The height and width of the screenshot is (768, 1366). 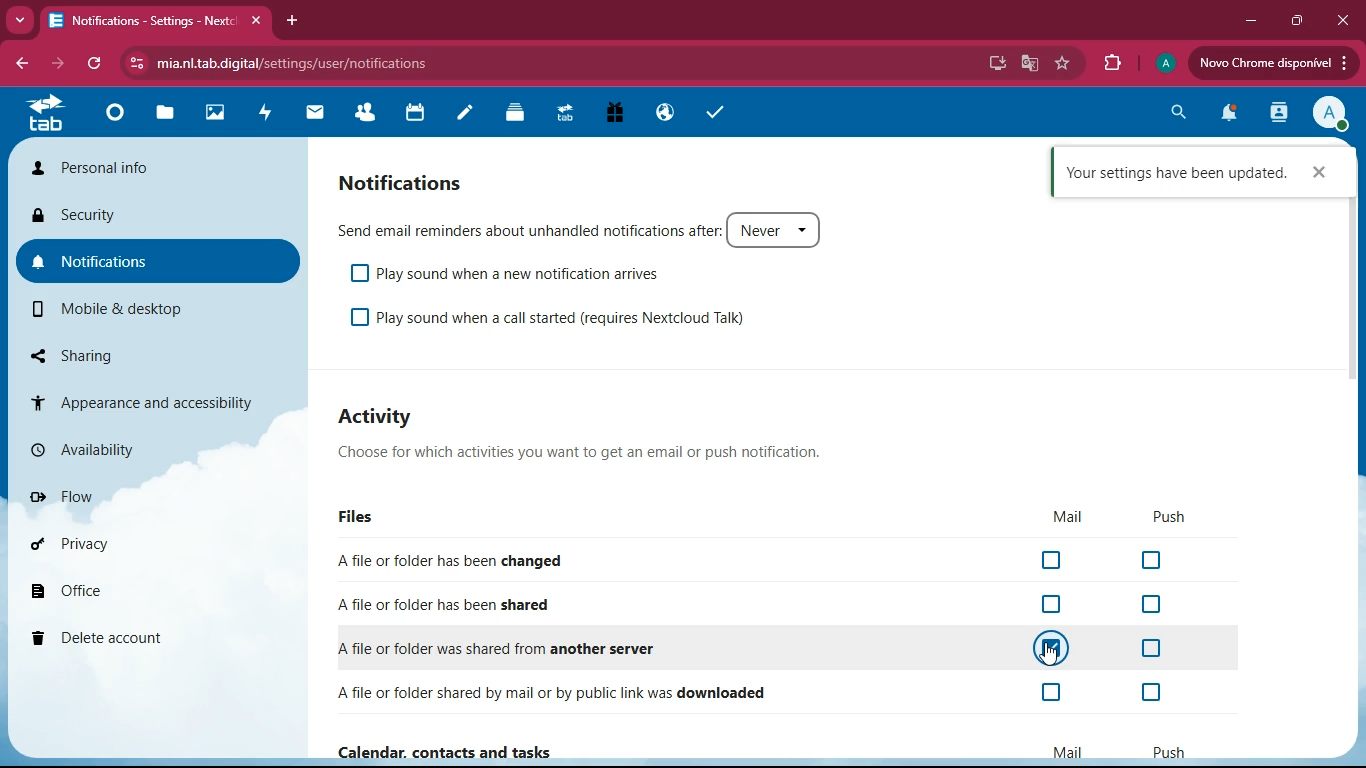 What do you see at coordinates (1057, 693) in the screenshot?
I see `off` at bounding box center [1057, 693].